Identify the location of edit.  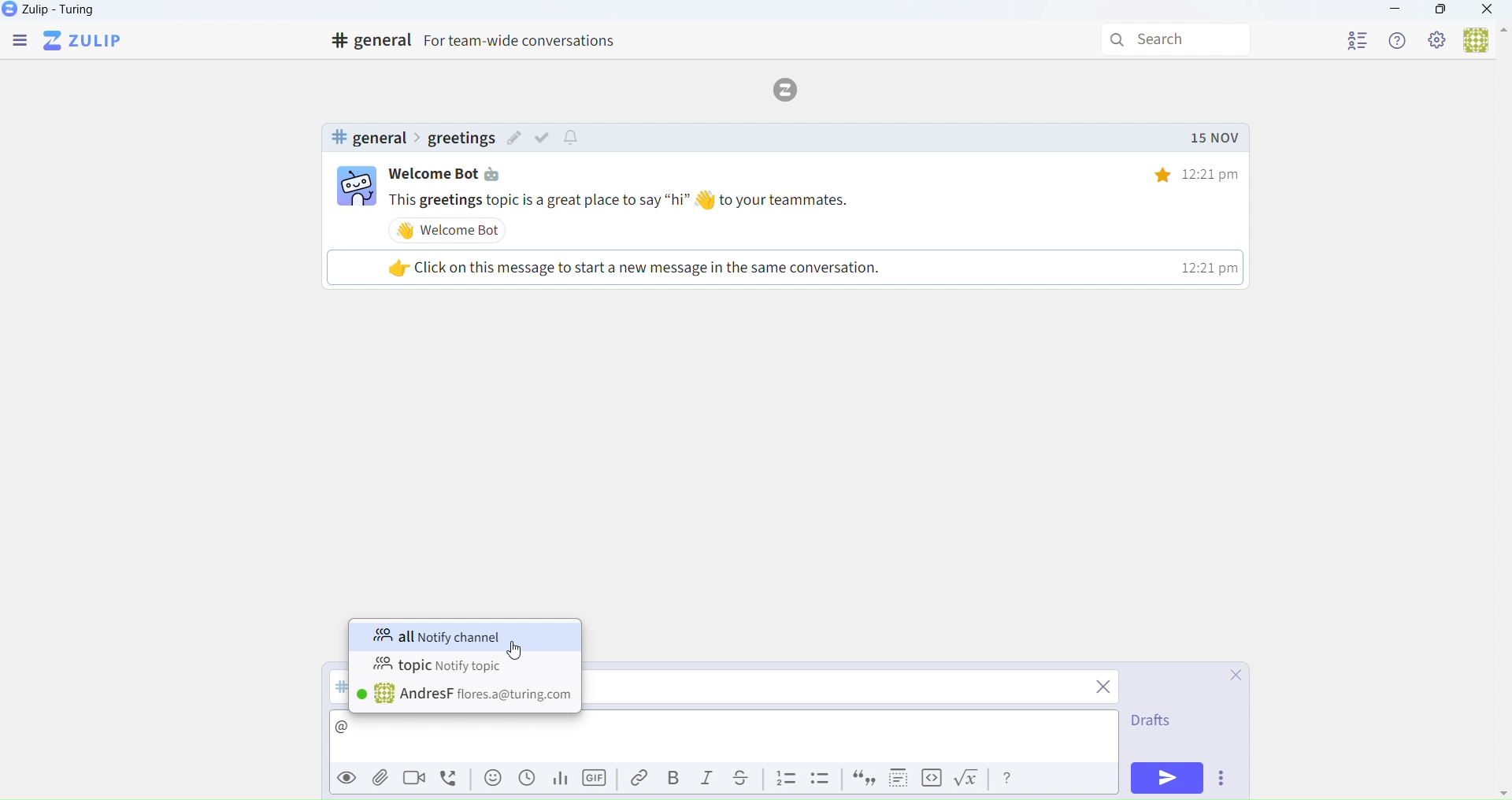
(514, 140).